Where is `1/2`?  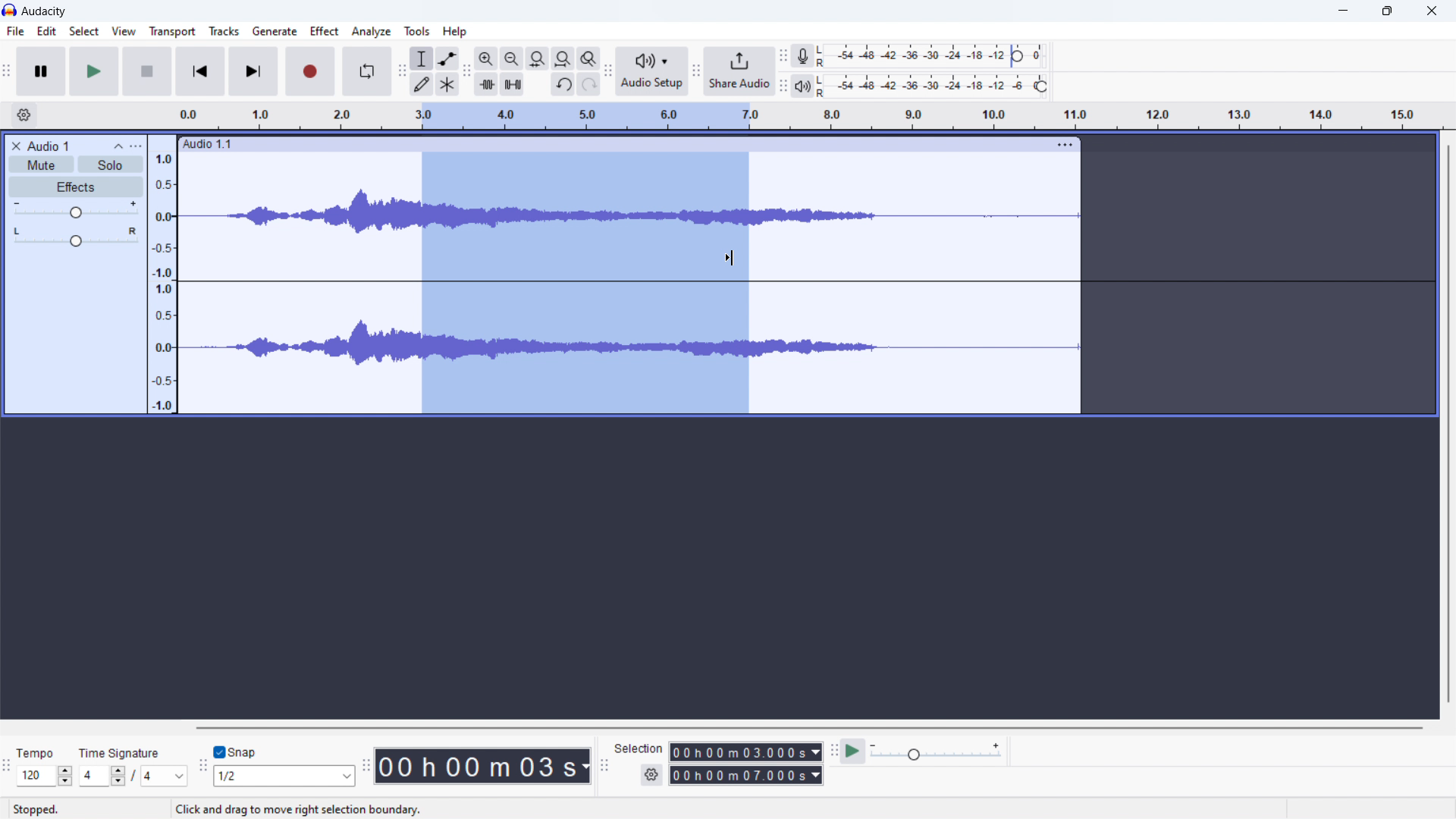 1/2 is located at coordinates (286, 777).